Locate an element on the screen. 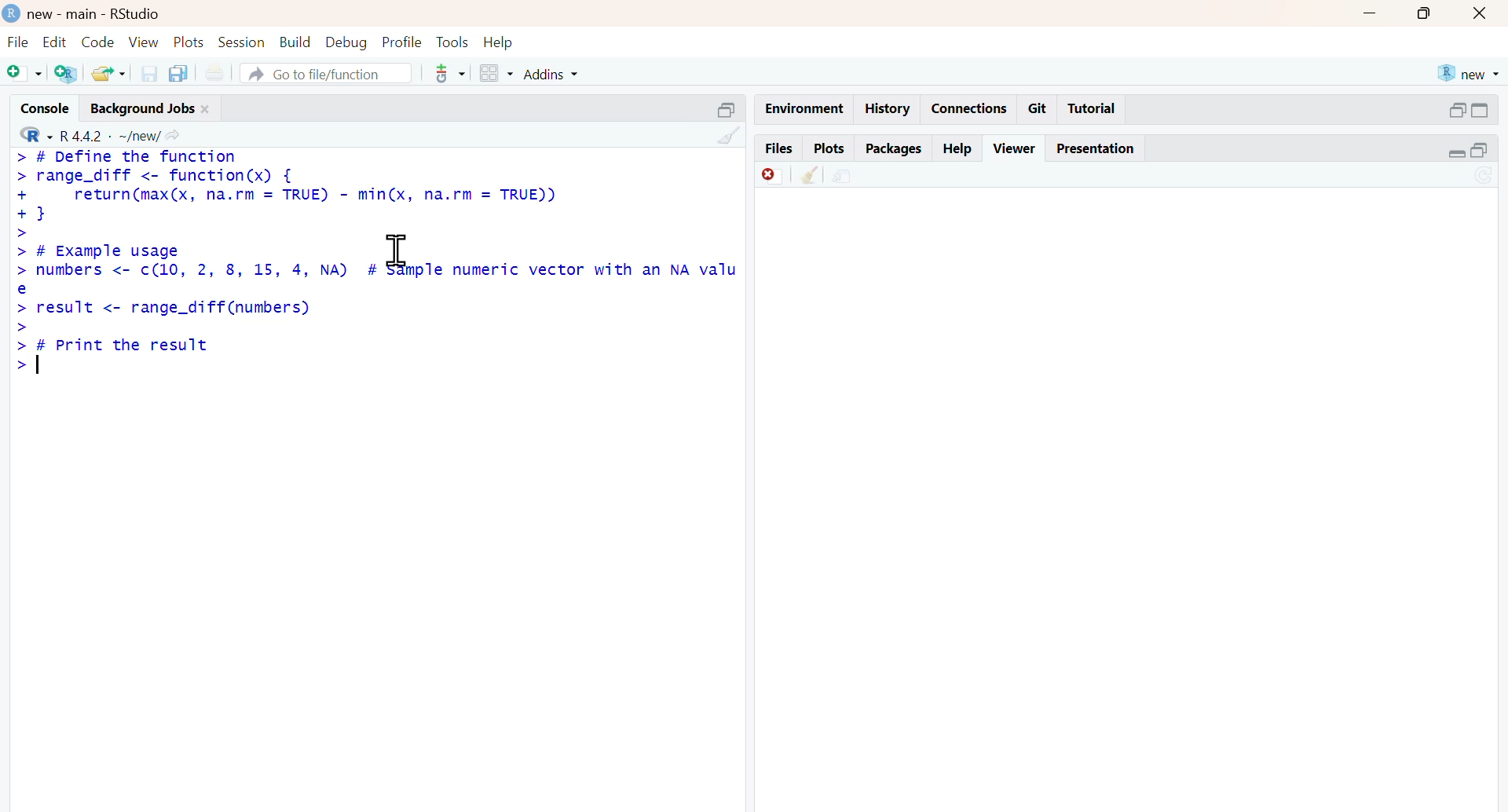 The height and width of the screenshot is (812, 1508). clean is located at coordinates (811, 174).